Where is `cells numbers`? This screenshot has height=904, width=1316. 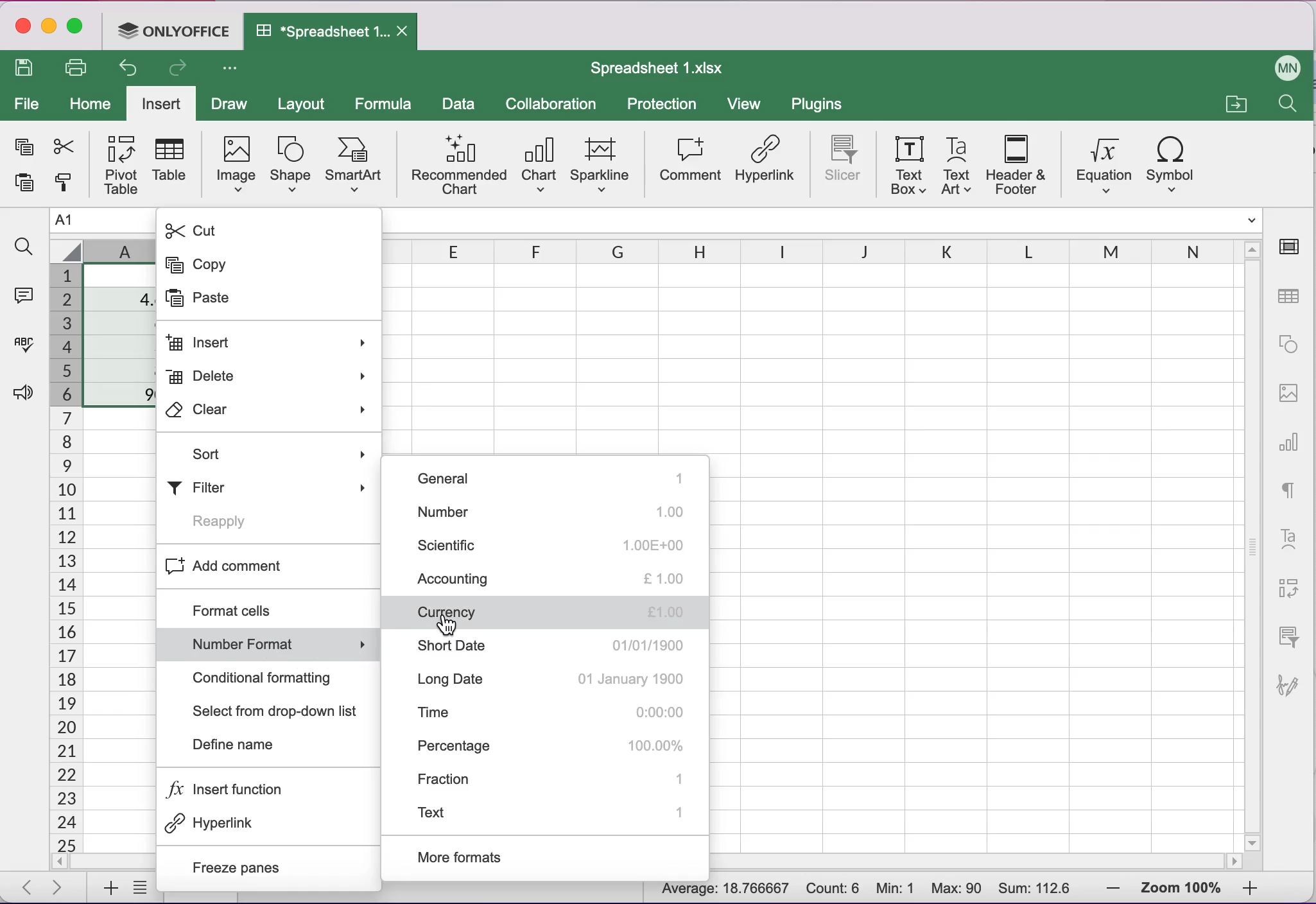
cells numbers is located at coordinates (62, 558).